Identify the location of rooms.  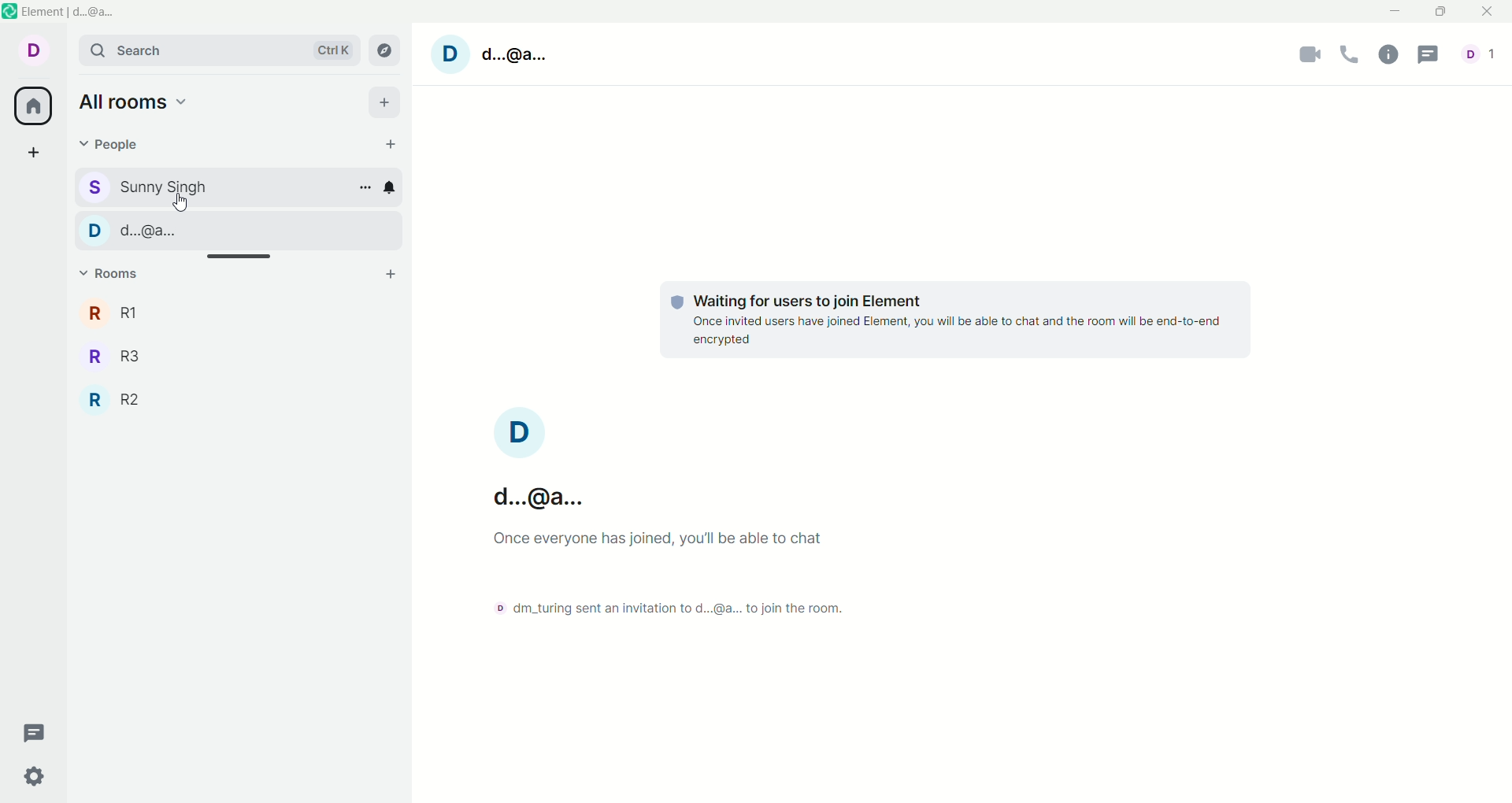
(117, 312).